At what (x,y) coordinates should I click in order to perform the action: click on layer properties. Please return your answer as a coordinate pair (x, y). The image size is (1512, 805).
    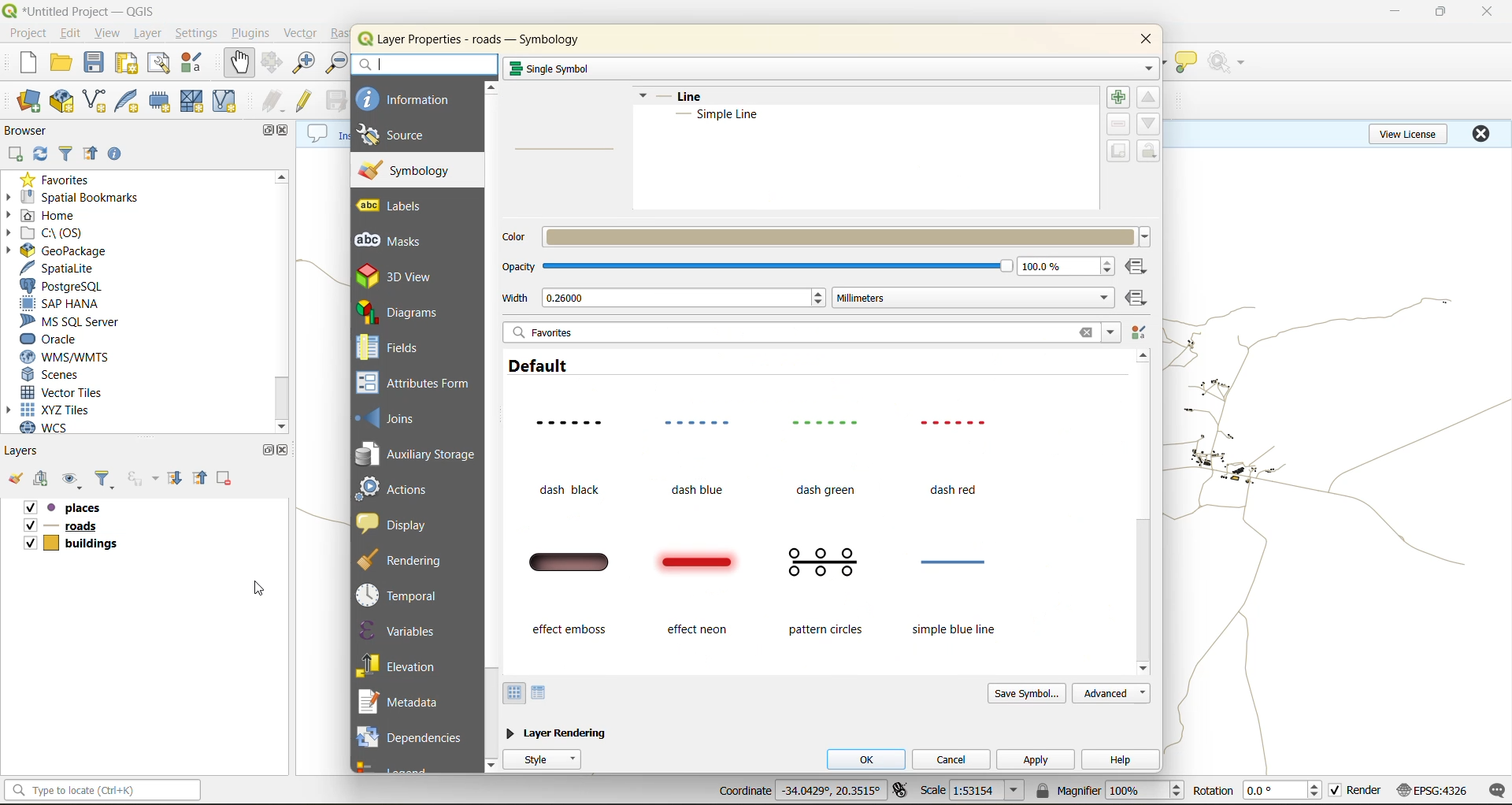
    Looking at the image, I should click on (469, 36).